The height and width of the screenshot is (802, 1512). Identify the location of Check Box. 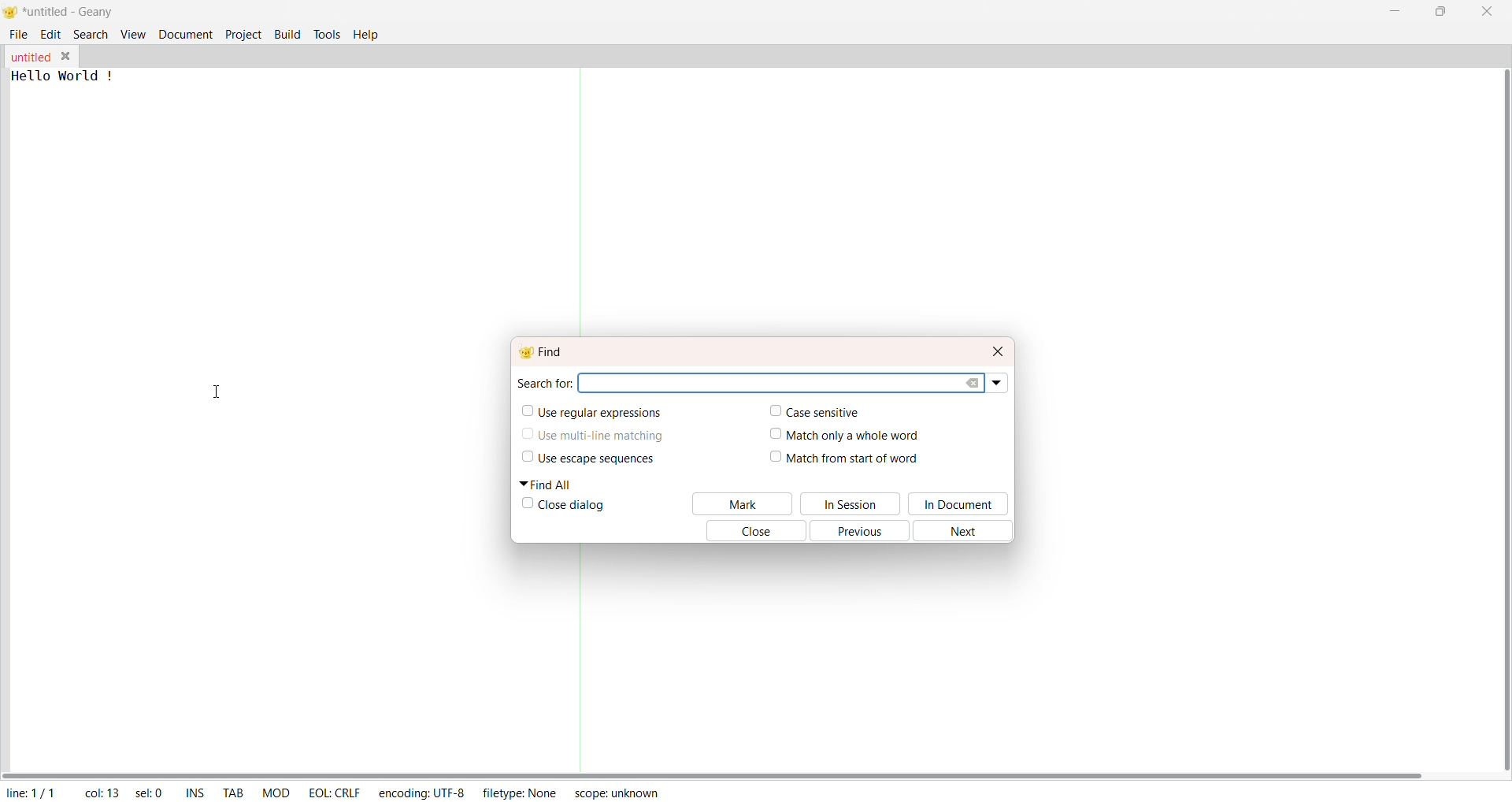
(524, 436).